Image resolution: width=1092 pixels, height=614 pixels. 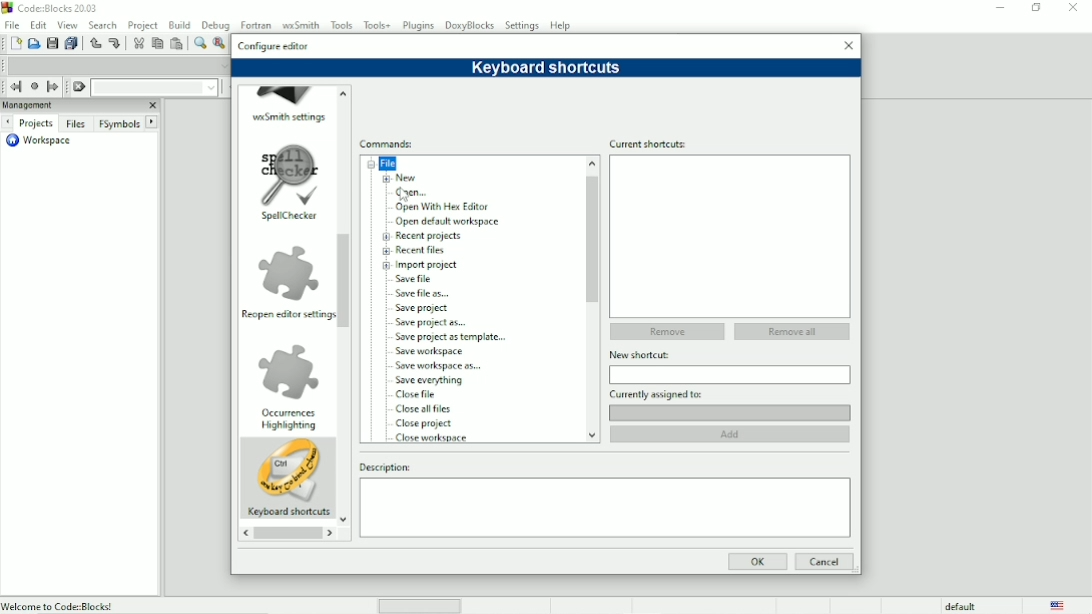 What do you see at coordinates (117, 44) in the screenshot?
I see `Redo` at bounding box center [117, 44].